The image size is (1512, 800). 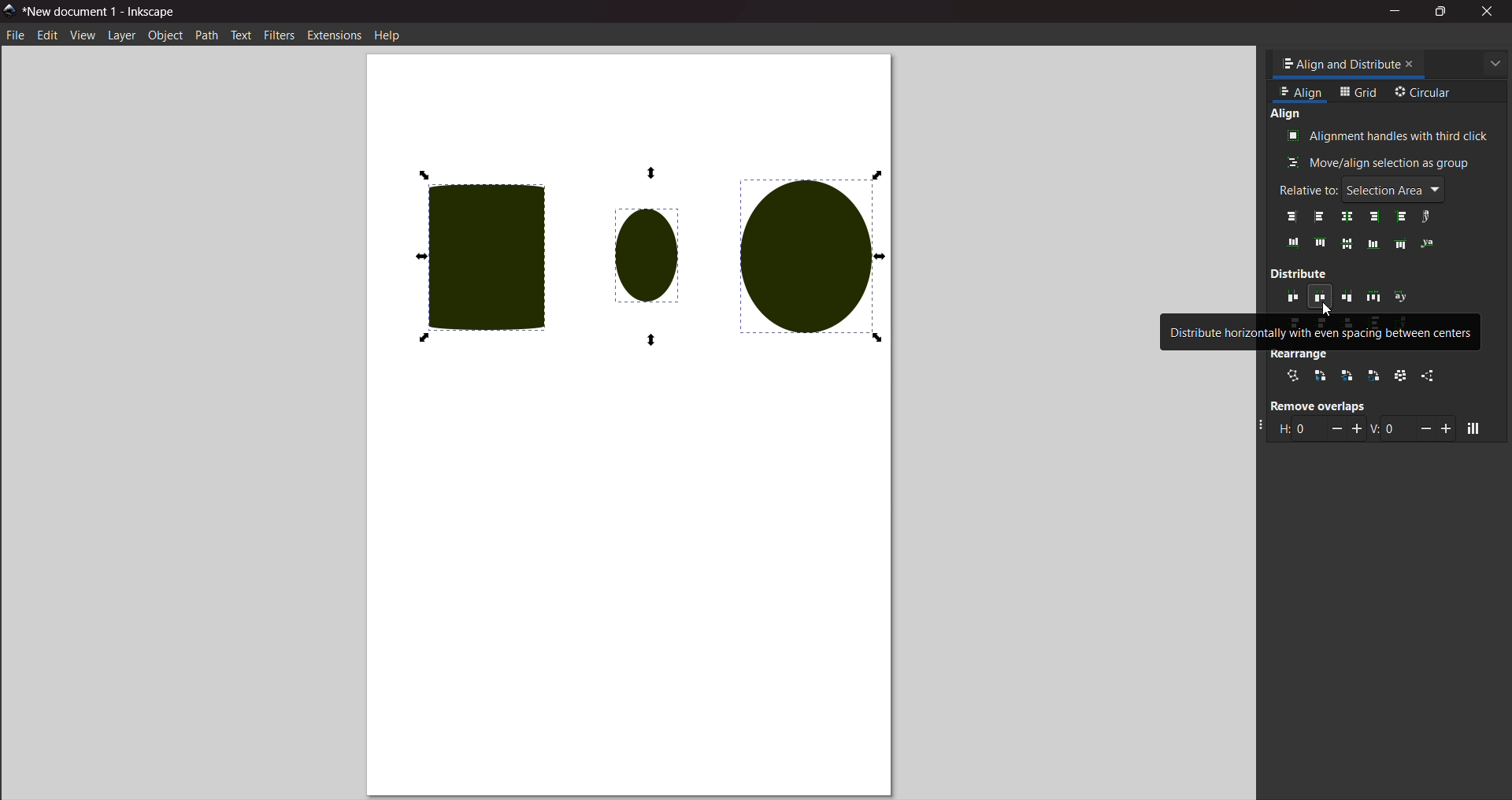 What do you see at coordinates (1476, 430) in the screenshot?
I see `move objects` at bounding box center [1476, 430].